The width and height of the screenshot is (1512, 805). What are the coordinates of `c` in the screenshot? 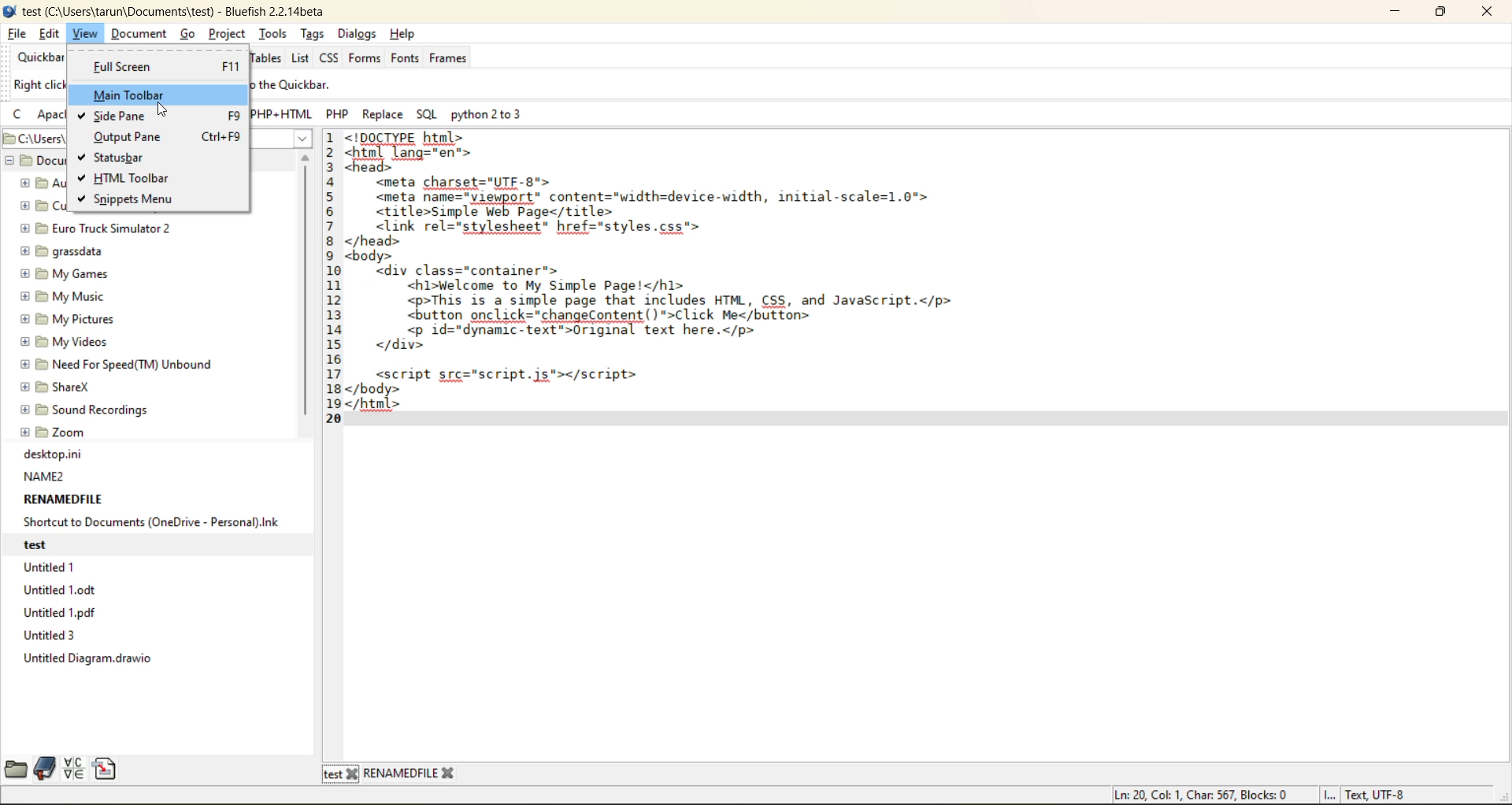 It's located at (19, 117).